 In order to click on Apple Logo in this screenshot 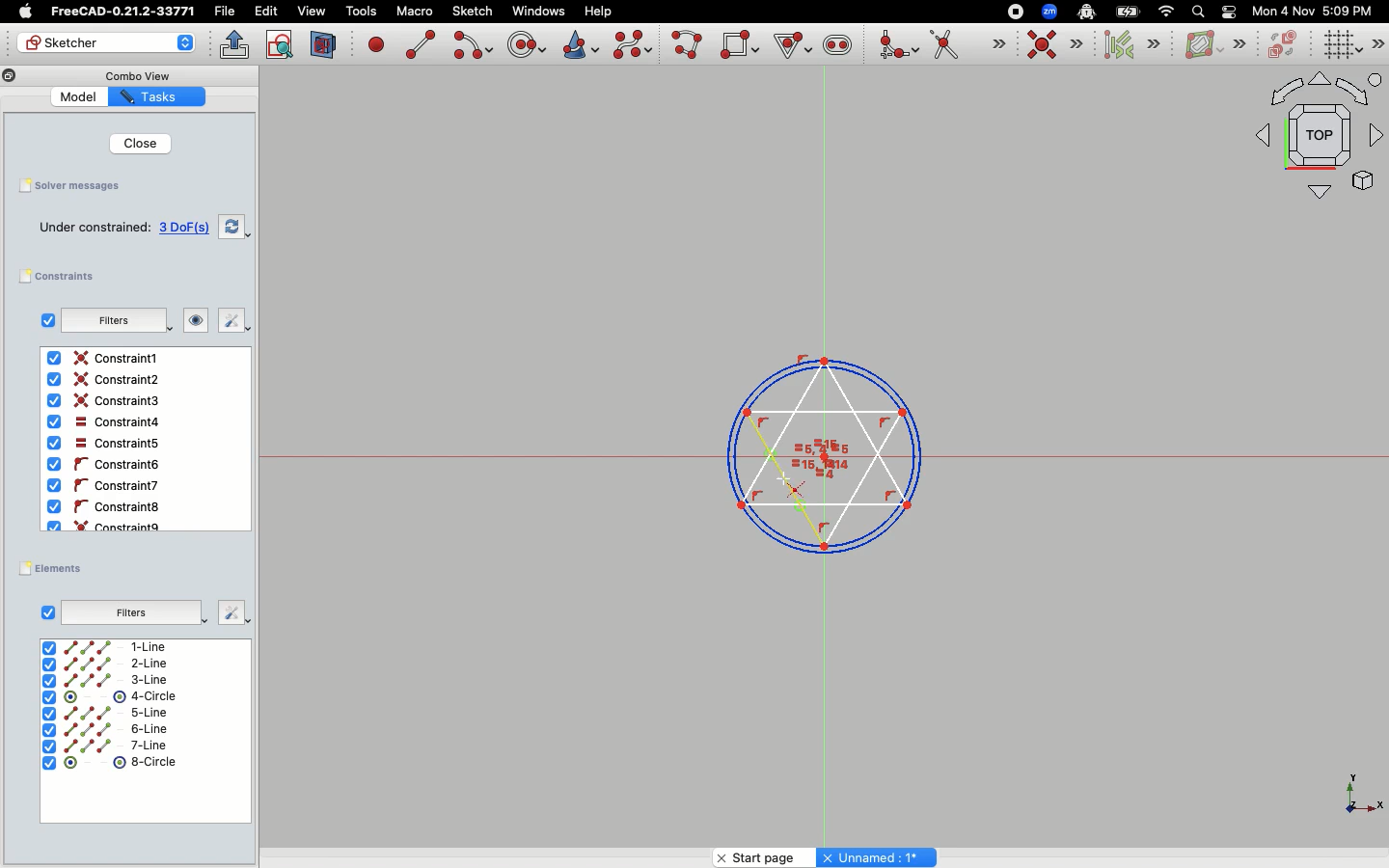, I will do `click(23, 12)`.